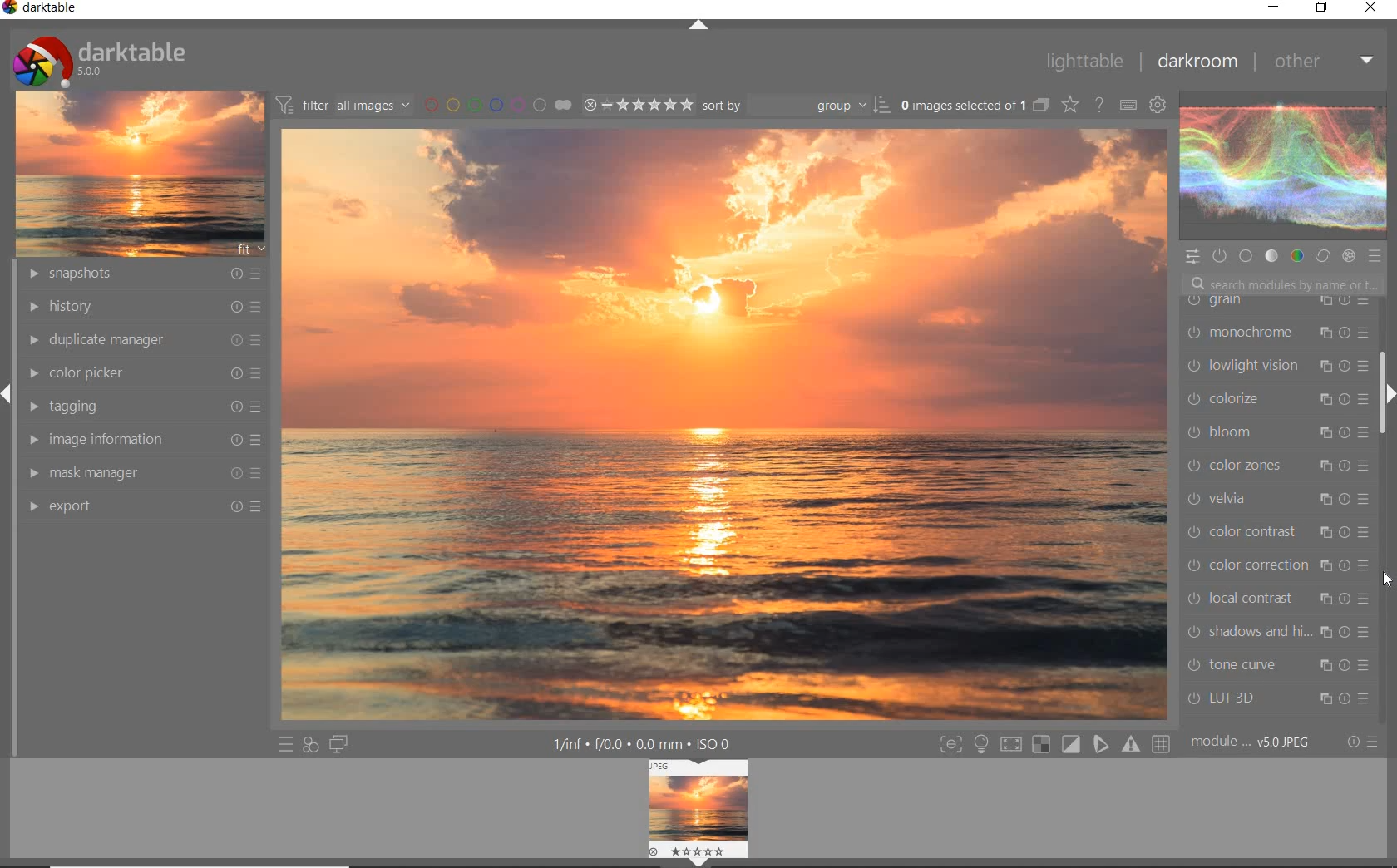 This screenshot has height=868, width=1397. Describe the element at coordinates (1348, 257) in the screenshot. I see `EFFECT` at that location.